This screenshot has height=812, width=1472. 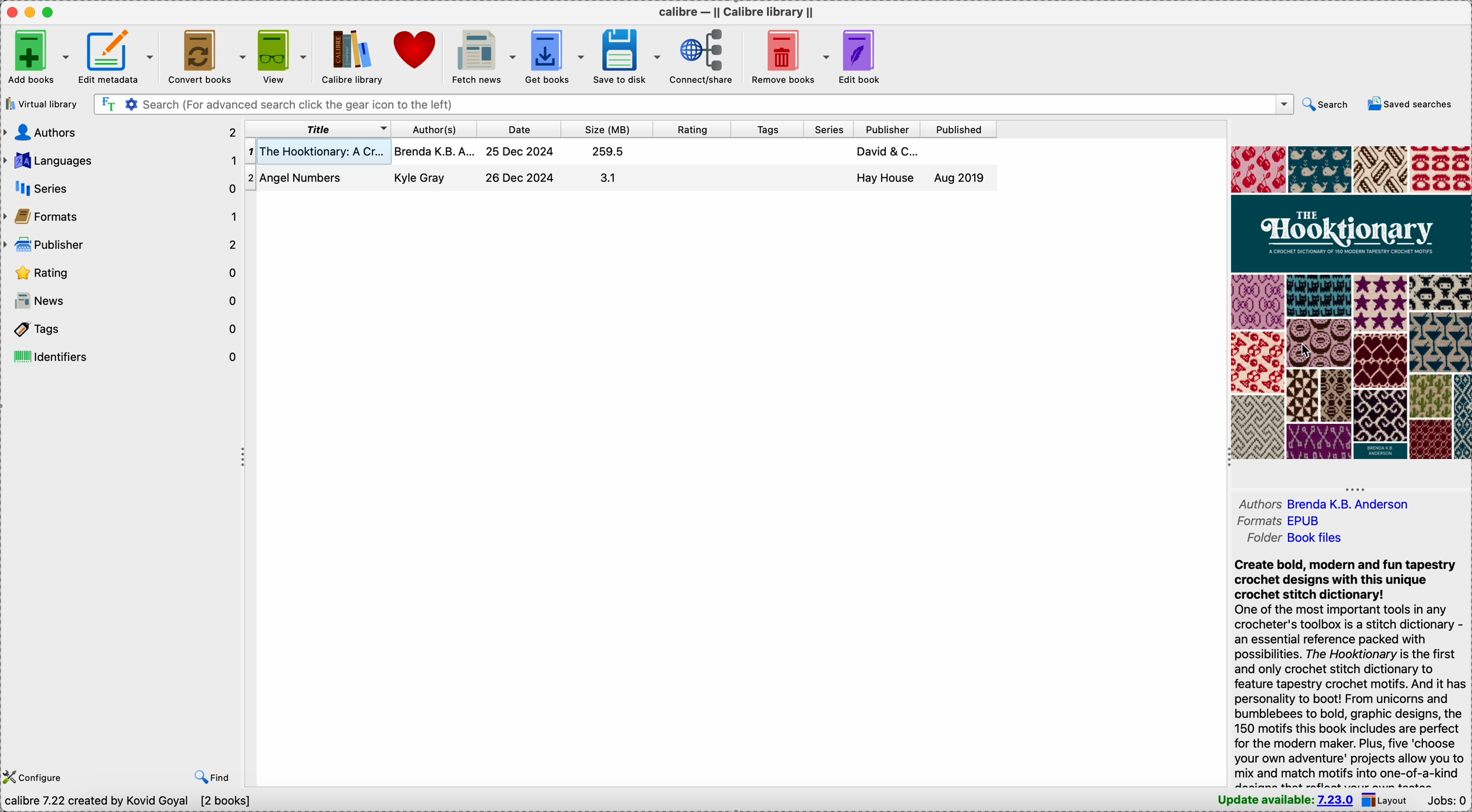 I want to click on search bar, so click(x=691, y=104).